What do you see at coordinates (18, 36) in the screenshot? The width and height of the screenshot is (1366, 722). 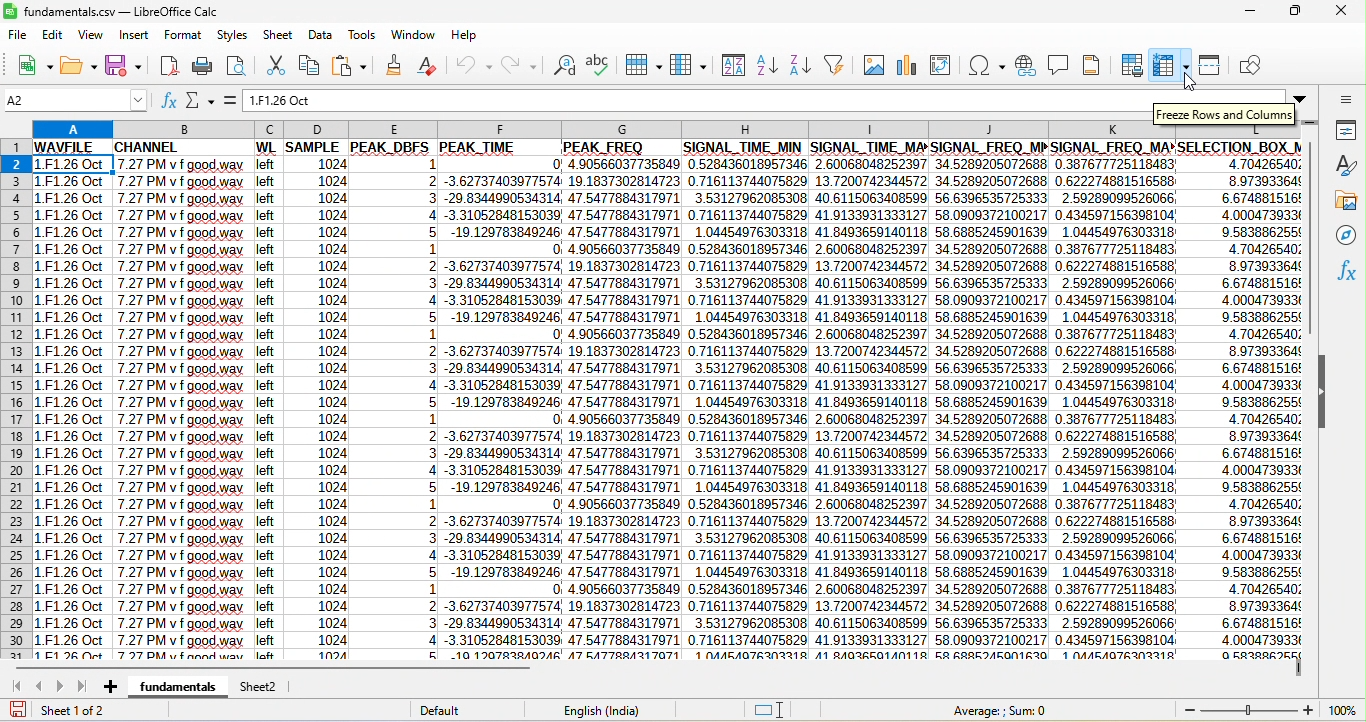 I see `file` at bounding box center [18, 36].